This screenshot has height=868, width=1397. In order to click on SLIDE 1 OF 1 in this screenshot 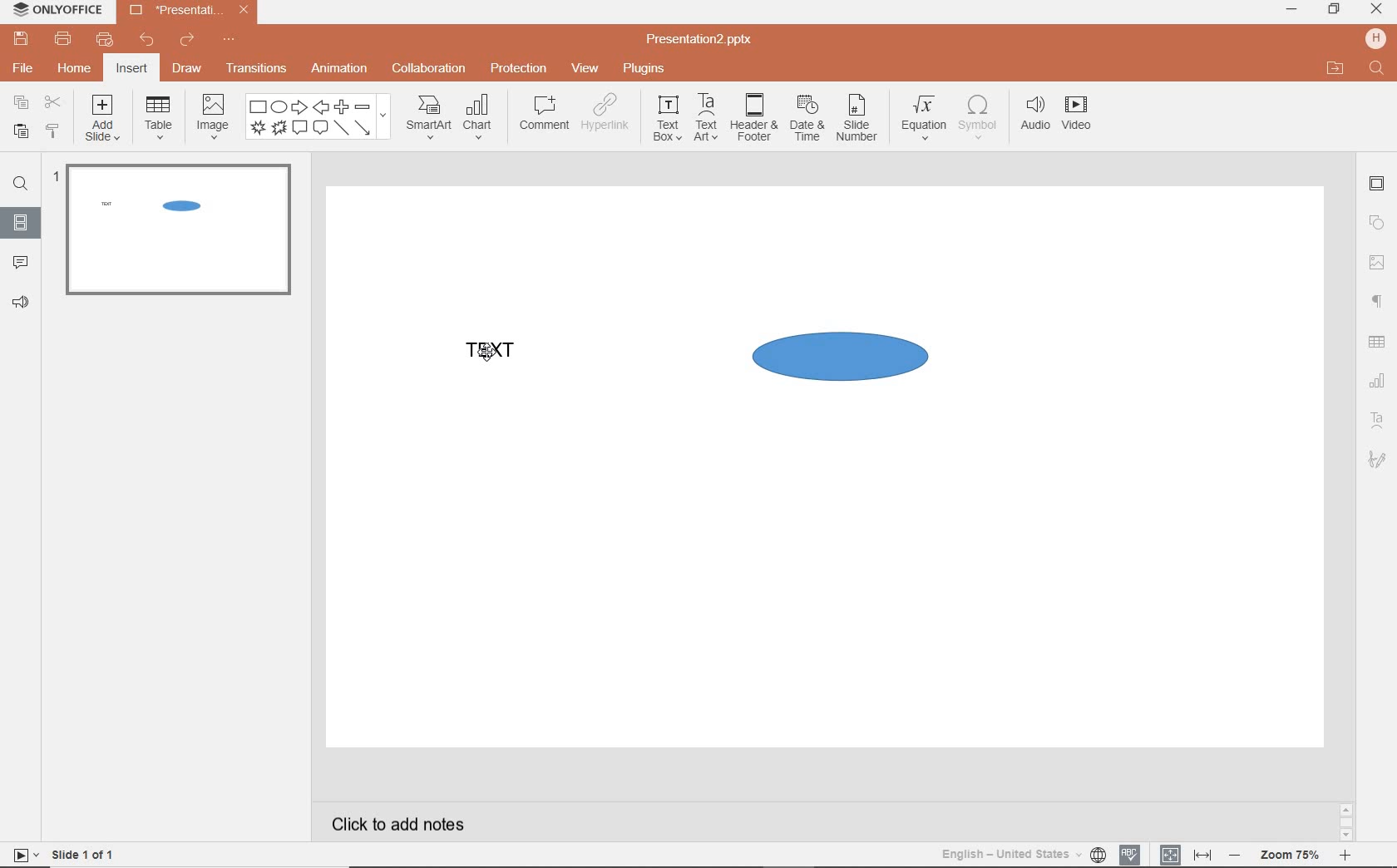, I will do `click(65, 854)`.